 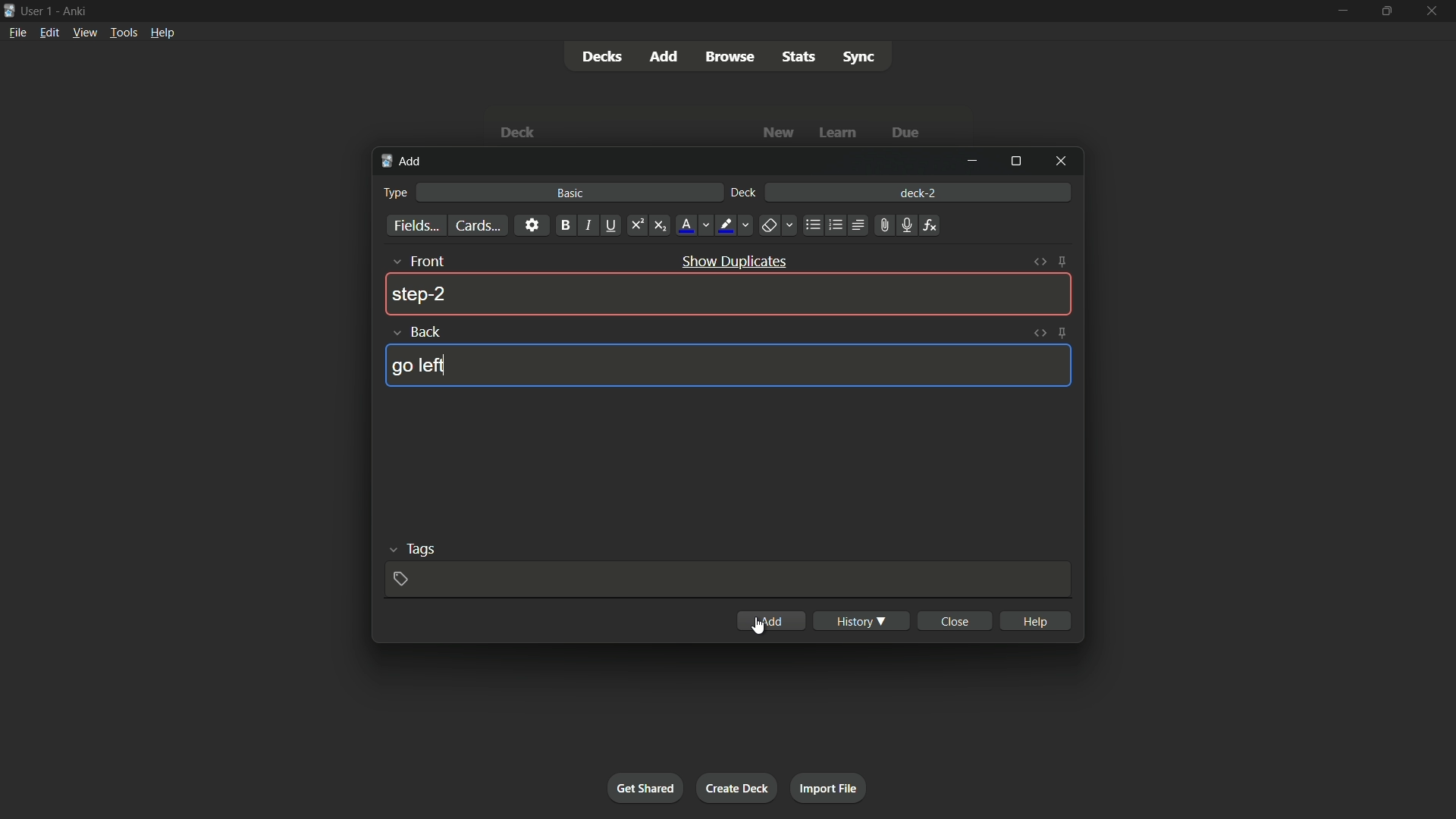 What do you see at coordinates (840, 133) in the screenshot?
I see `learn` at bounding box center [840, 133].